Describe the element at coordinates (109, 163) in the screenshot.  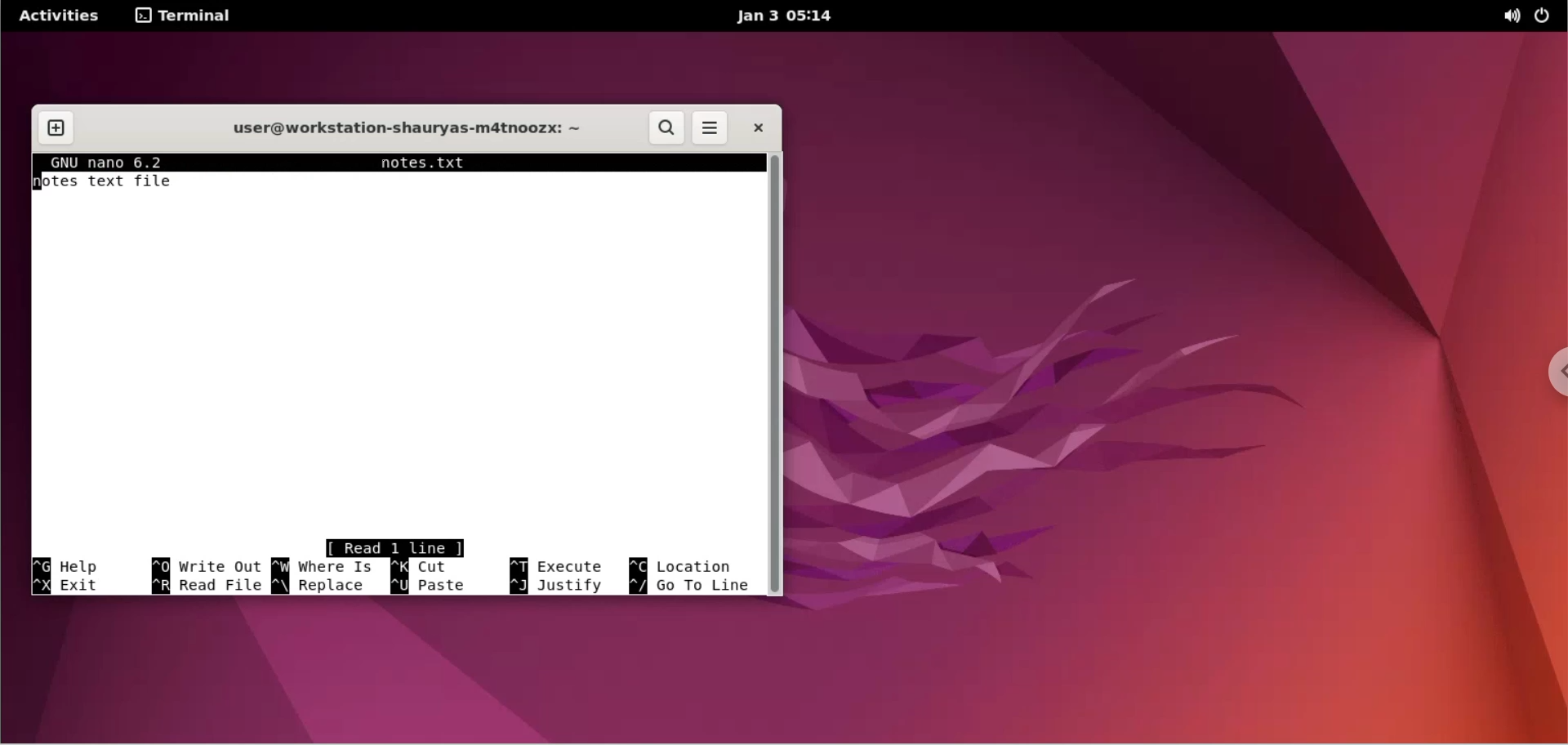
I see `GNU nano 6.2` at that location.